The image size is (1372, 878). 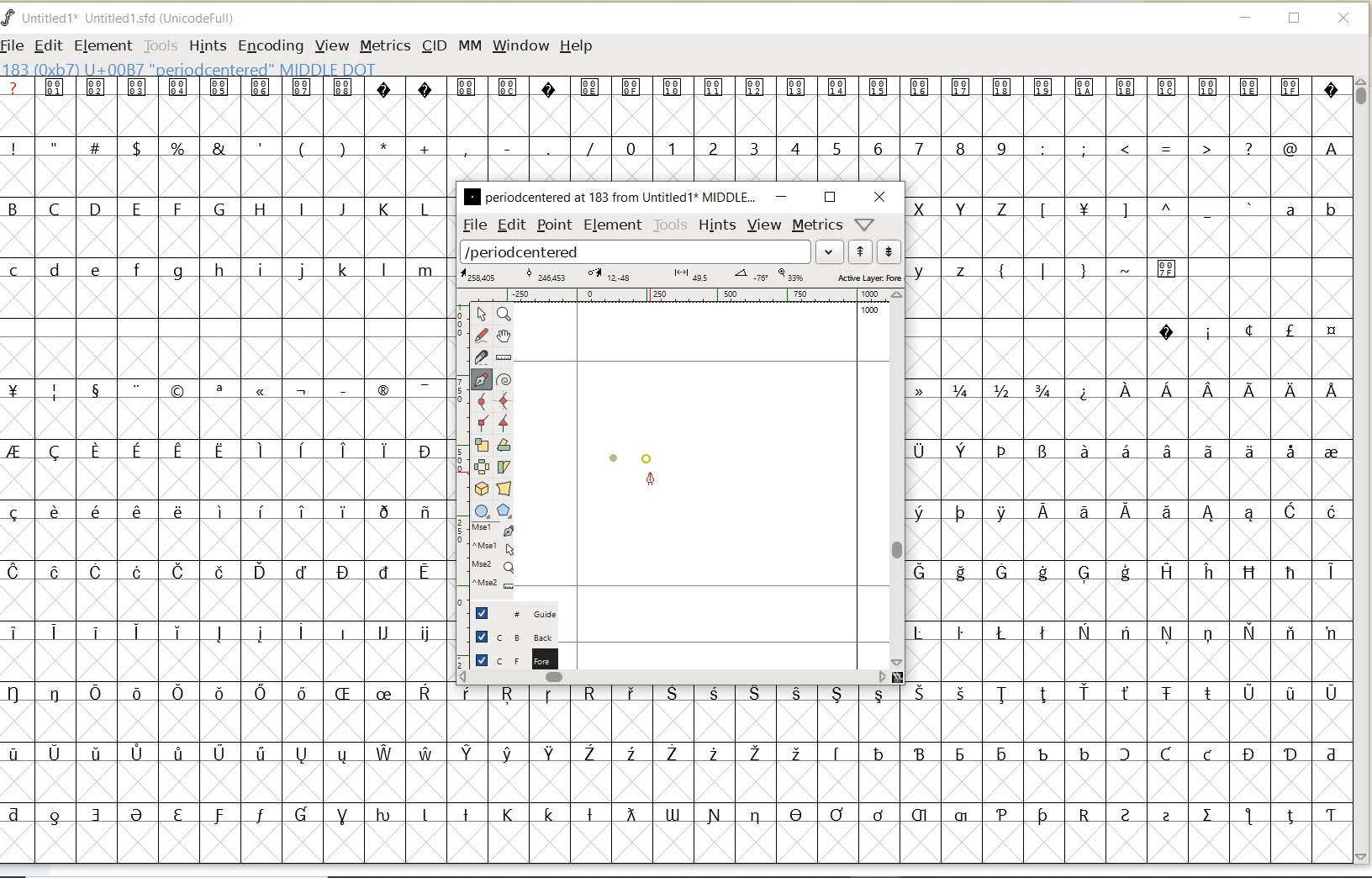 I want to click on Magnify, so click(x=504, y=315).